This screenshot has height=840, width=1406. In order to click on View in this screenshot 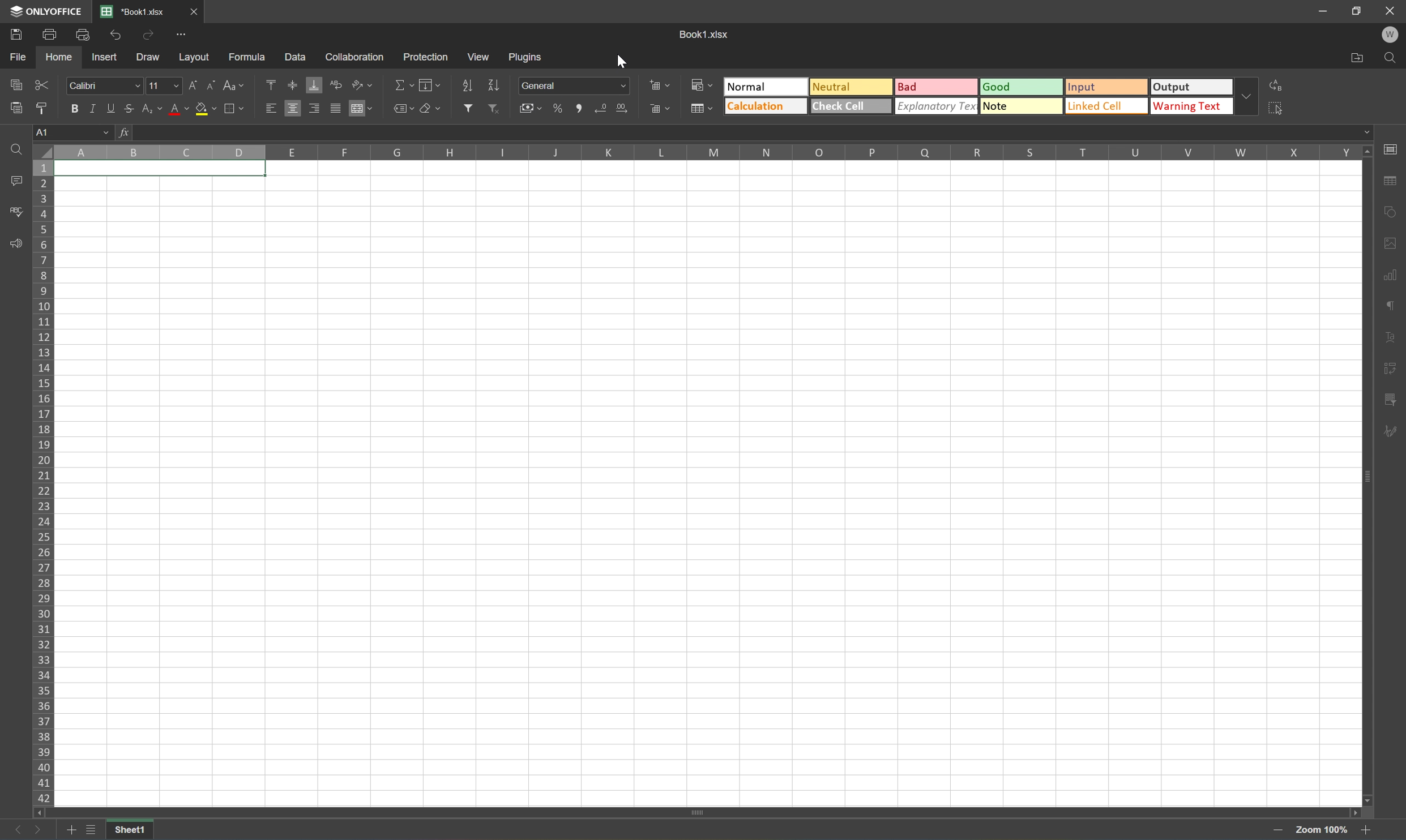, I will do `click(480, 55)`.